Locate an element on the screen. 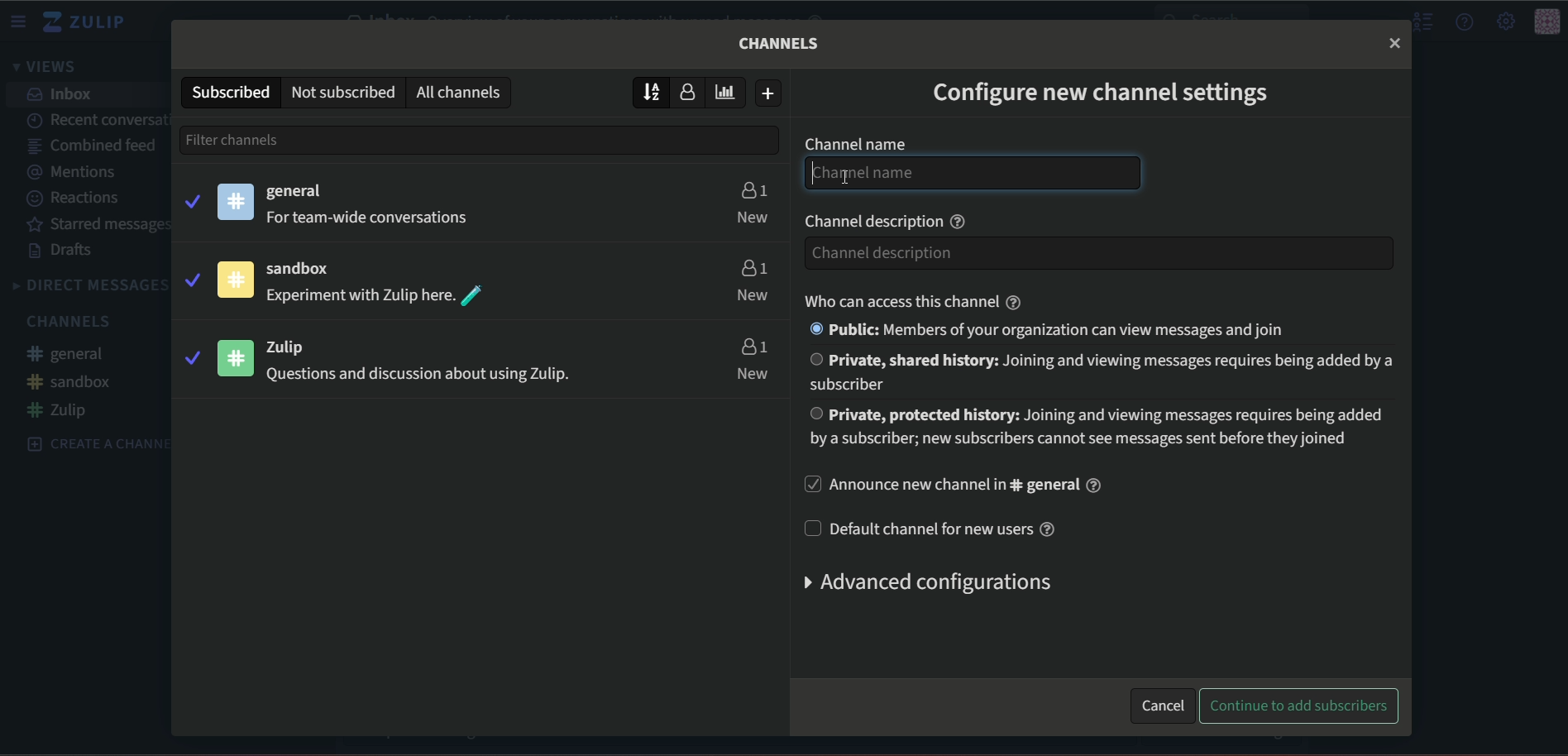 This screenshot has width=1568, height=756. sort is located at coordinates (652, 91).